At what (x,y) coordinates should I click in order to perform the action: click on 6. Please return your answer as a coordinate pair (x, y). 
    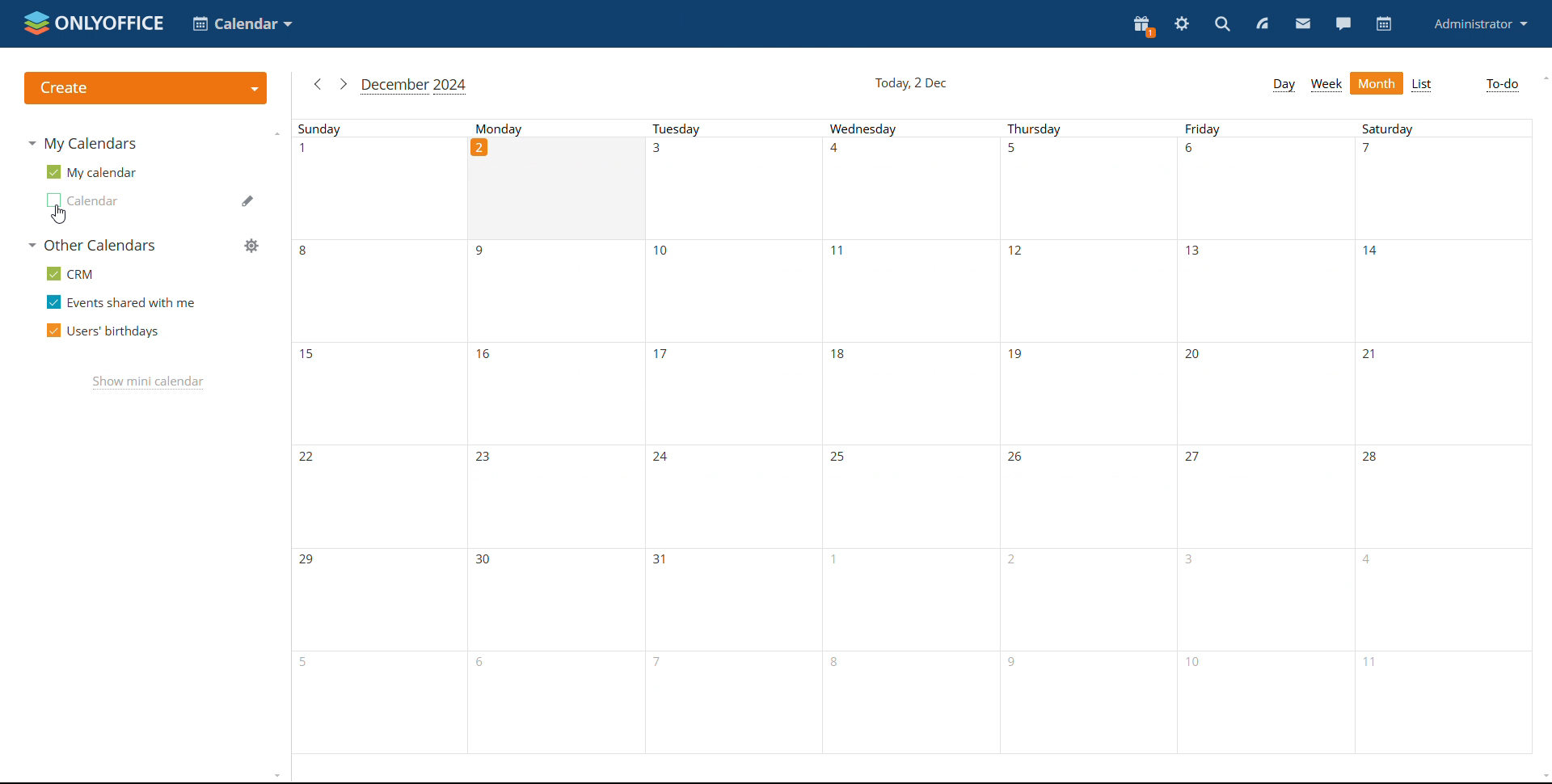
    Looking at the image, I should click on (555, 702).